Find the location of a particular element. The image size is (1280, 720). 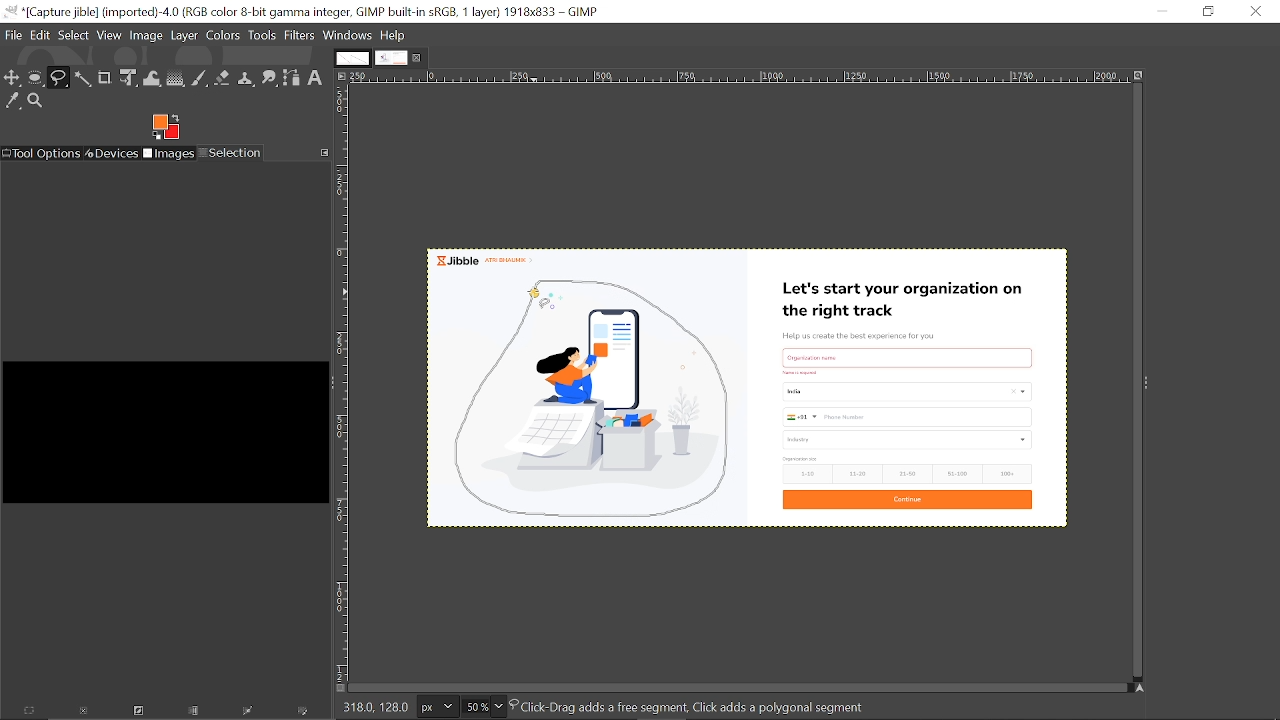

unified transform tool is located at coordinates (130, 79).